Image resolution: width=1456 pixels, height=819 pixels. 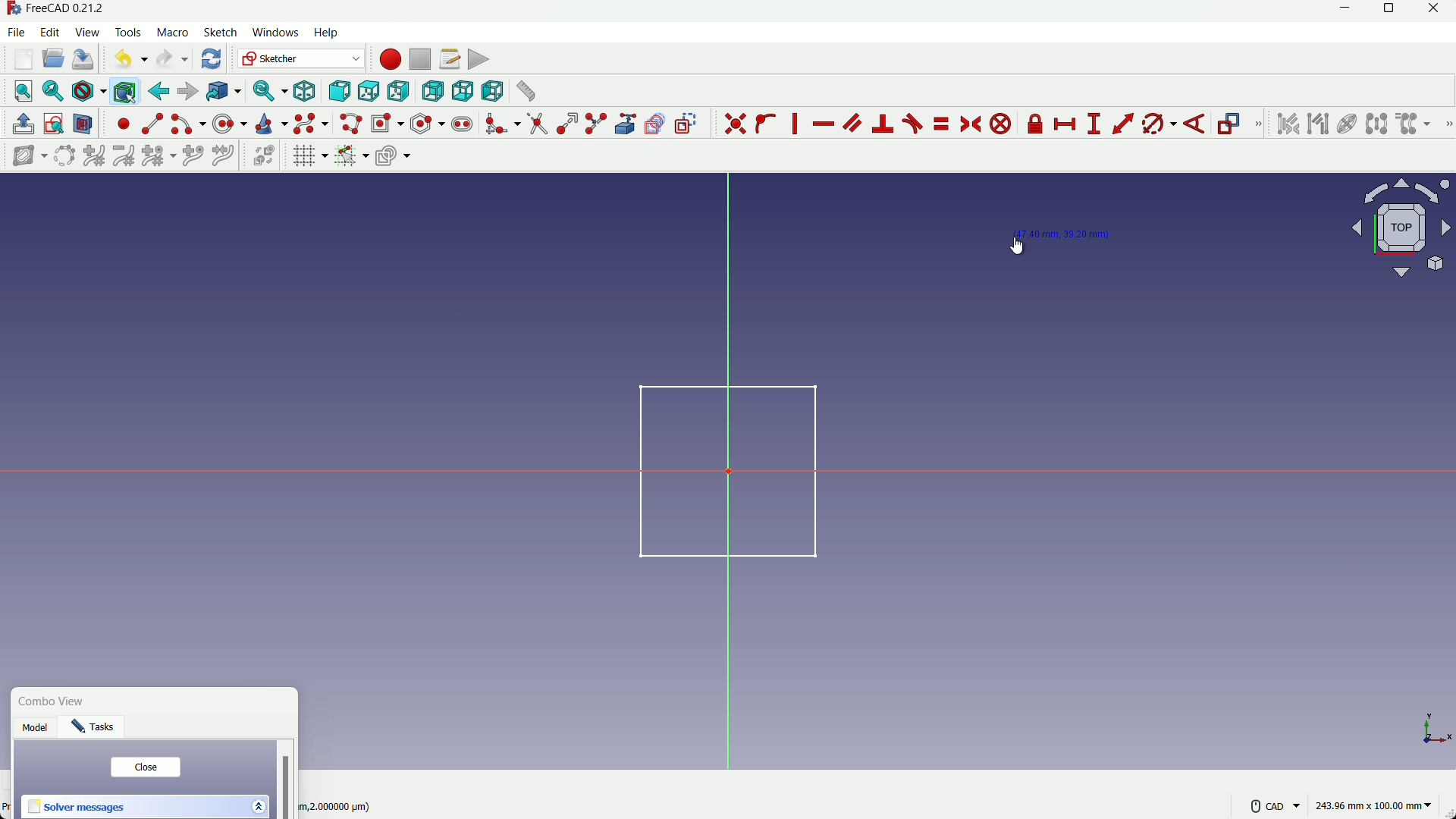 What do you see at coordinates (213, 58) in the screenshot?
I see `refresh` at bounding box center [213, 58].